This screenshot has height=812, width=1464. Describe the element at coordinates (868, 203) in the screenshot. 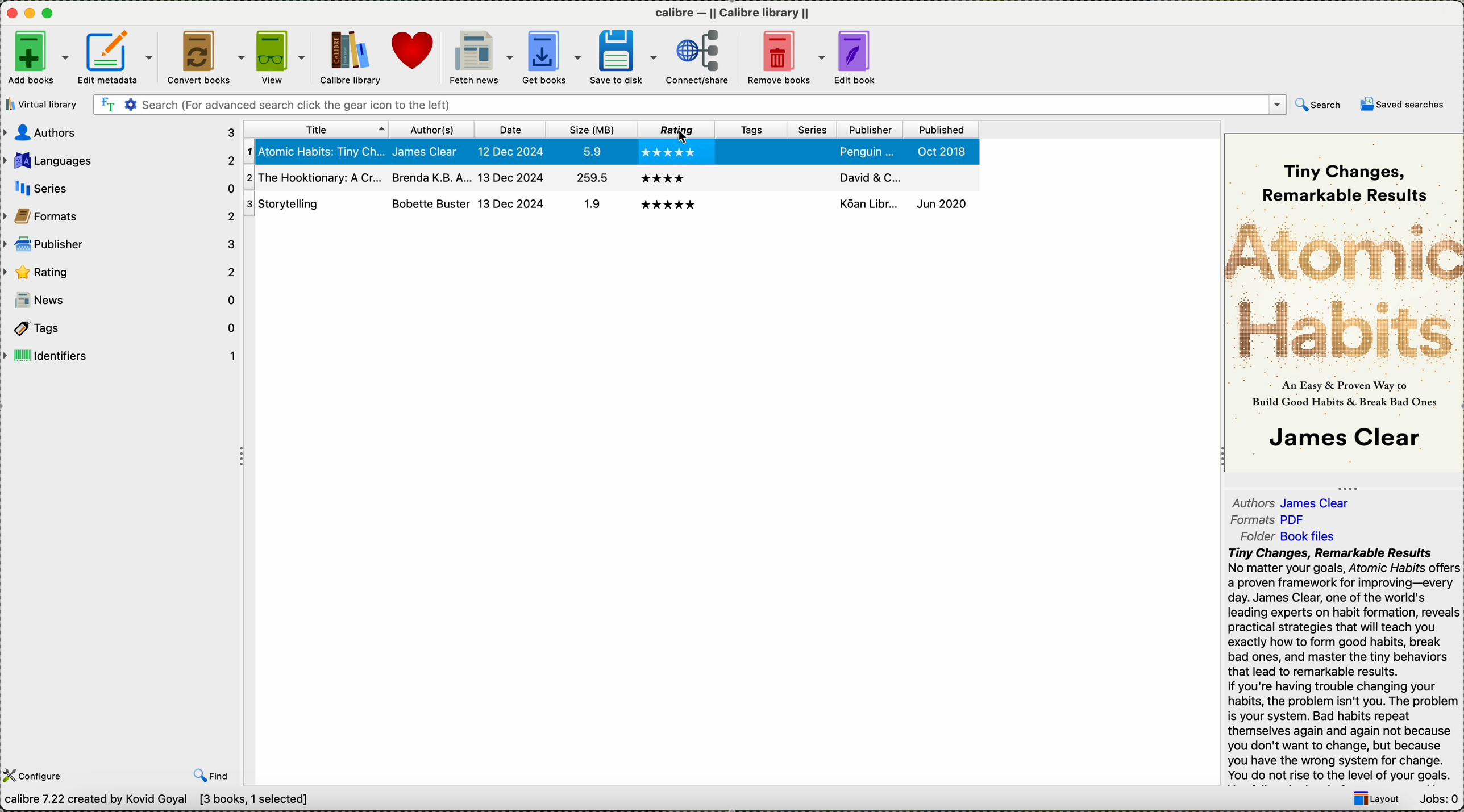

I see `koan libr...` at that location.